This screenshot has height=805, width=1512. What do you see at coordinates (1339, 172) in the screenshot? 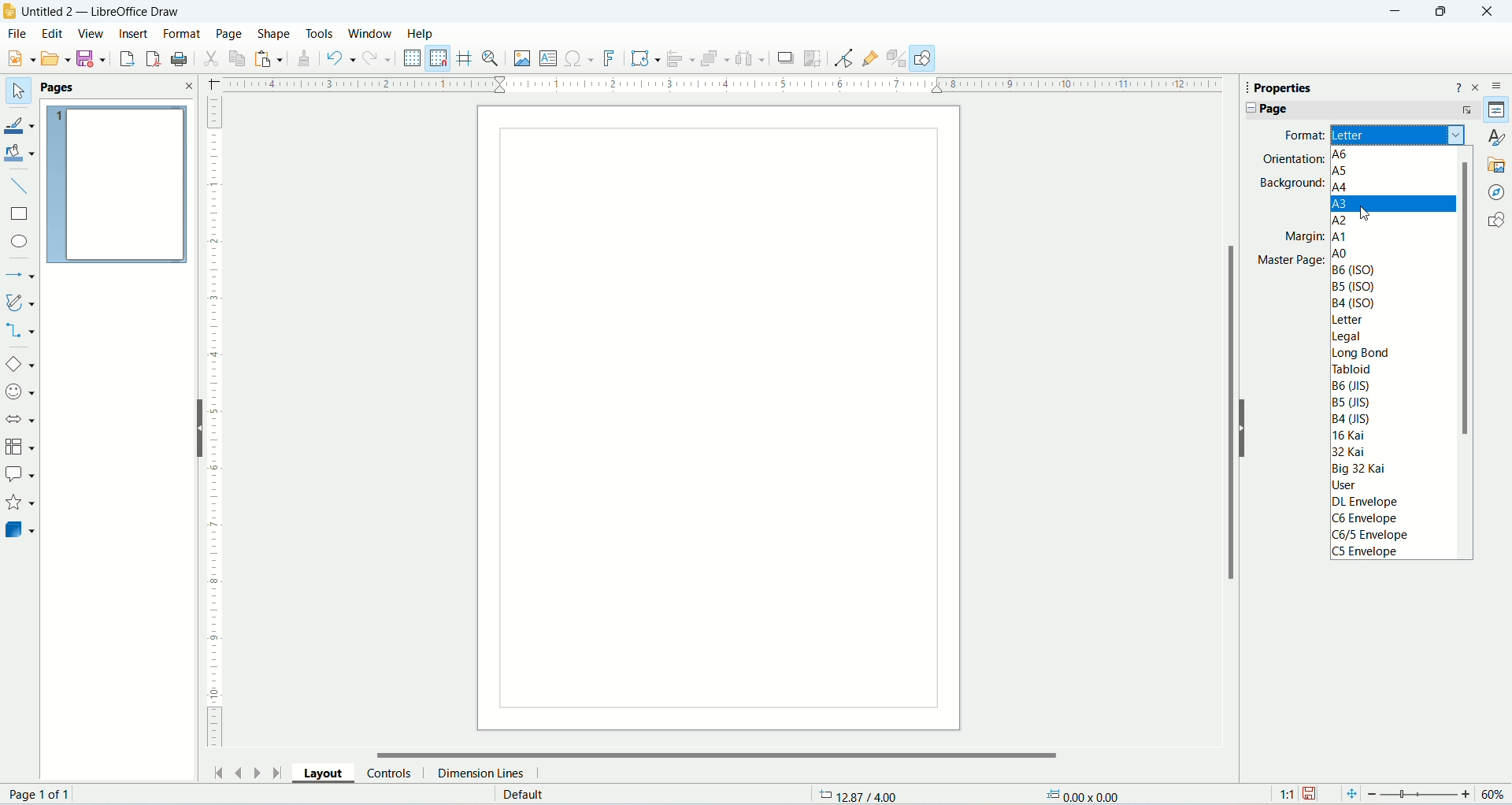
I see `A5` at bounding box center [1339, 172].